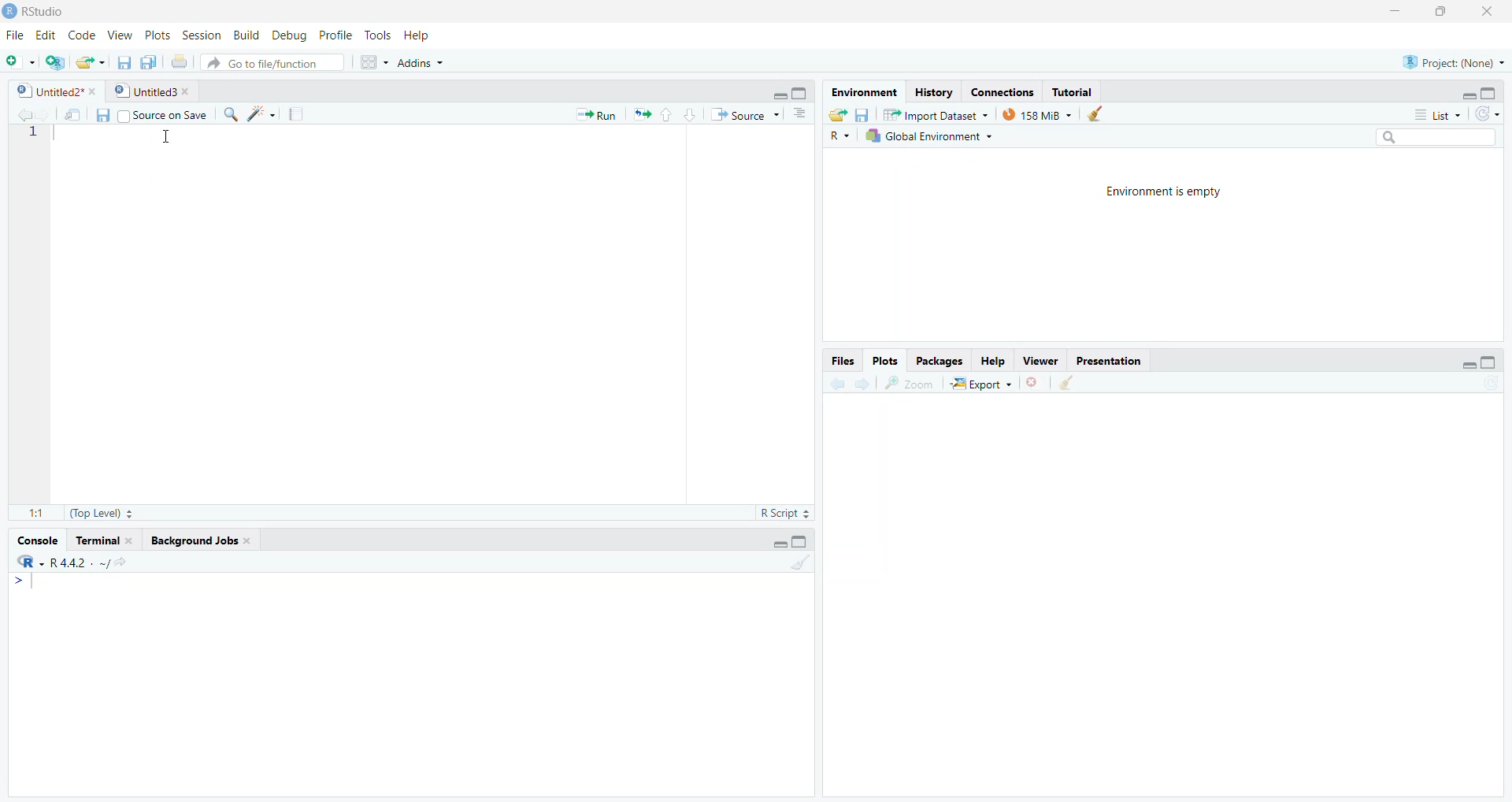  What do you see at coordinates (999, 89) in the screenshot?
I see `Connections` at bounding box center [999, 89].